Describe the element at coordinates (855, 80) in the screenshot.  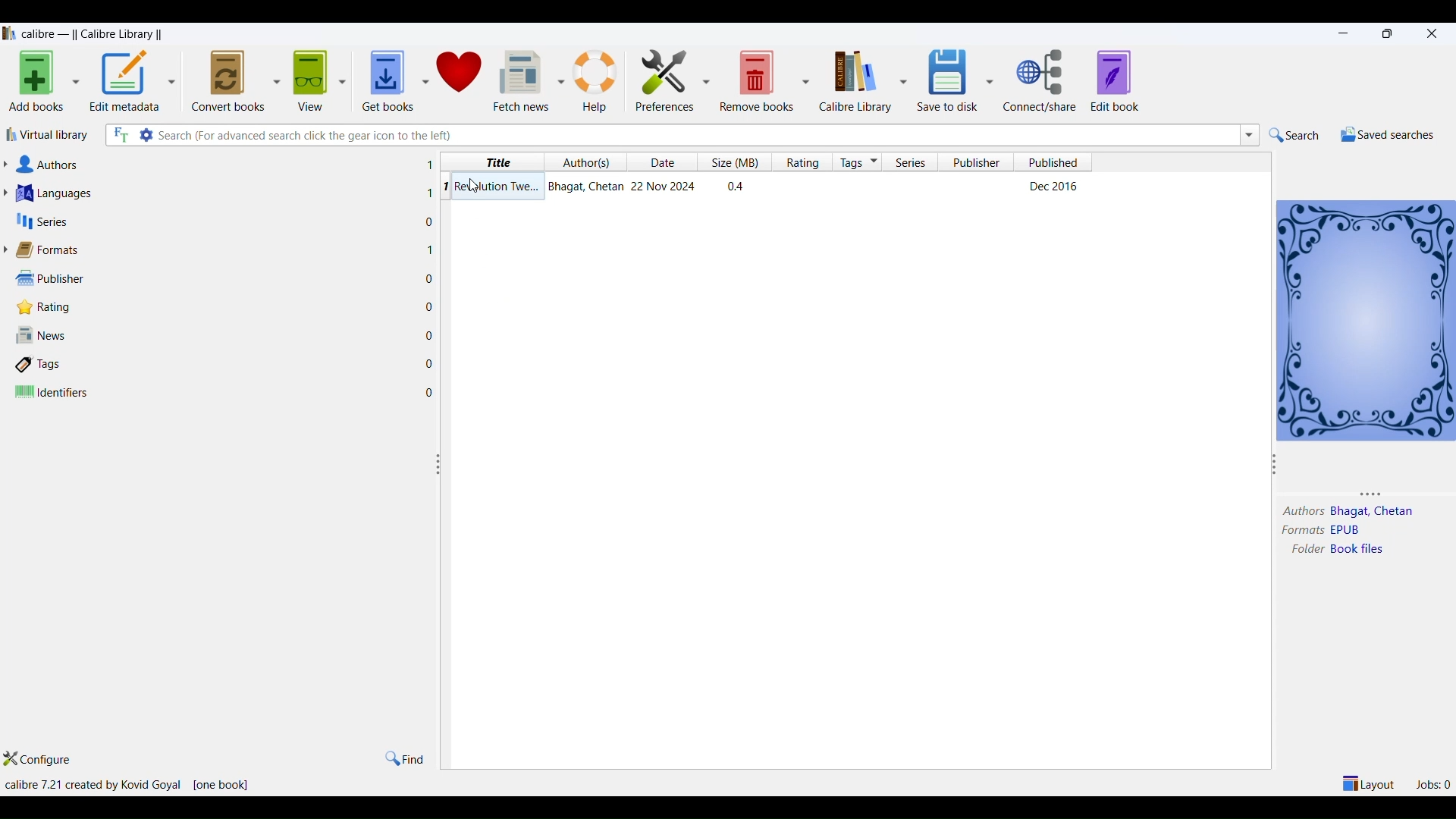
I see `calibre library` at that location.